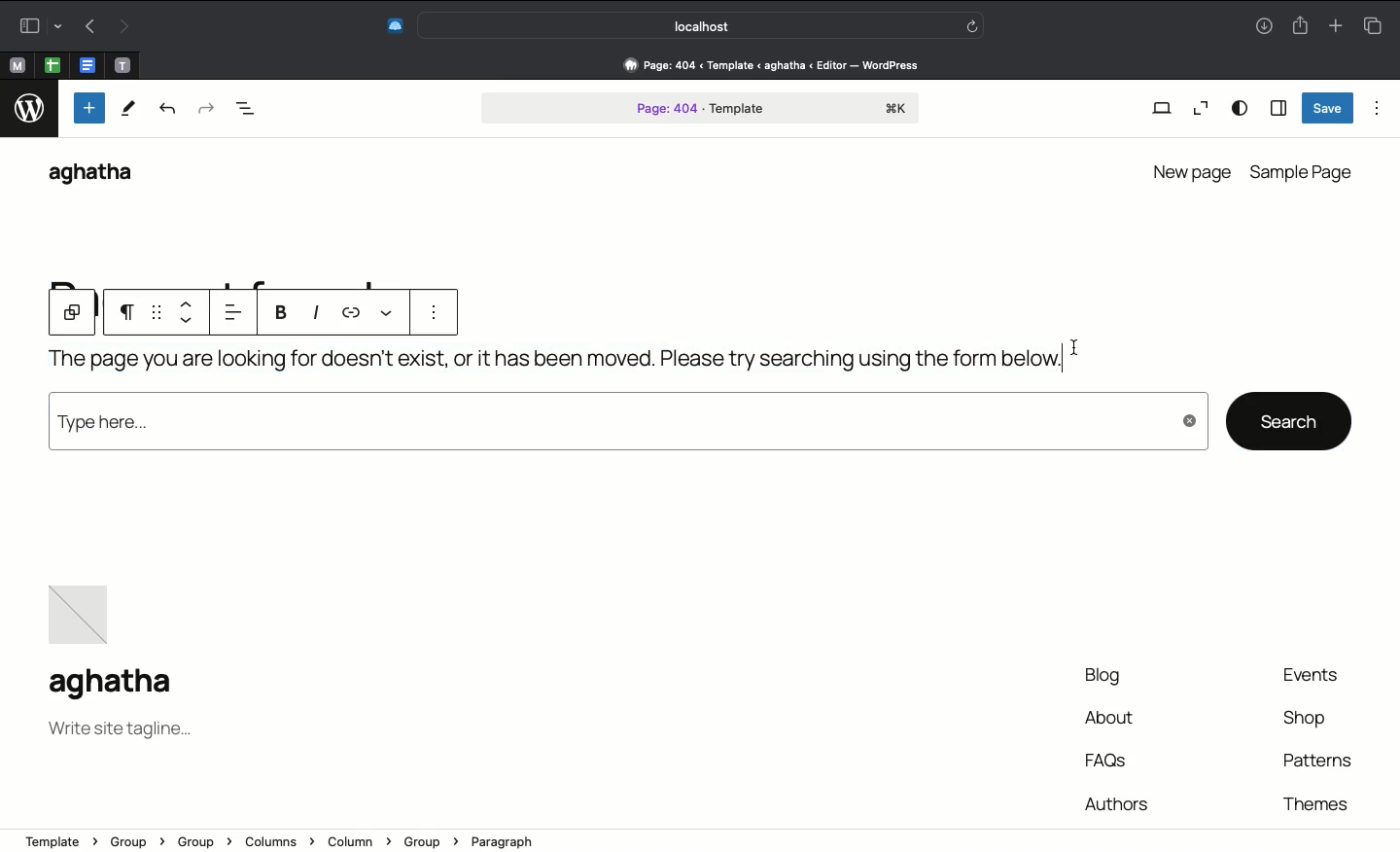 The width and height of the screenshot is (1400, 852). I want to click on open tab, so click(17, 66).